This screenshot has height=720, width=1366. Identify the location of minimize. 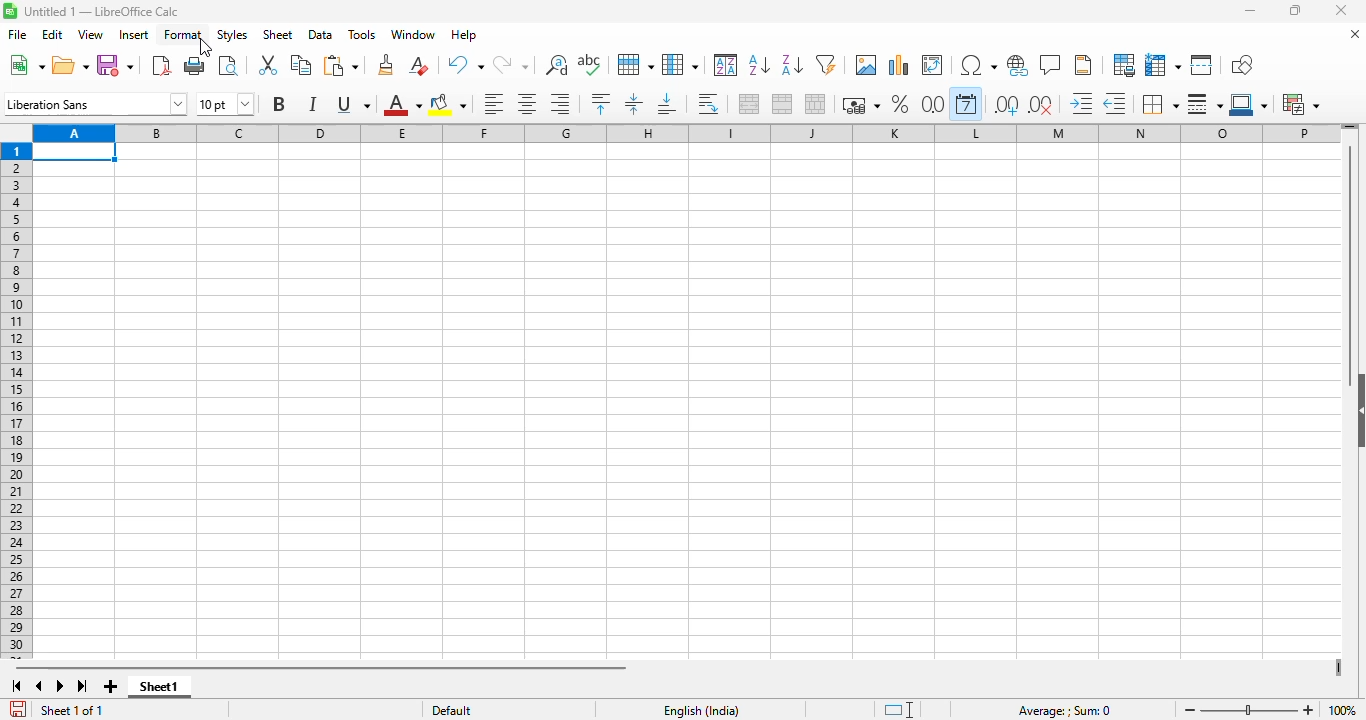
(1250, 10).